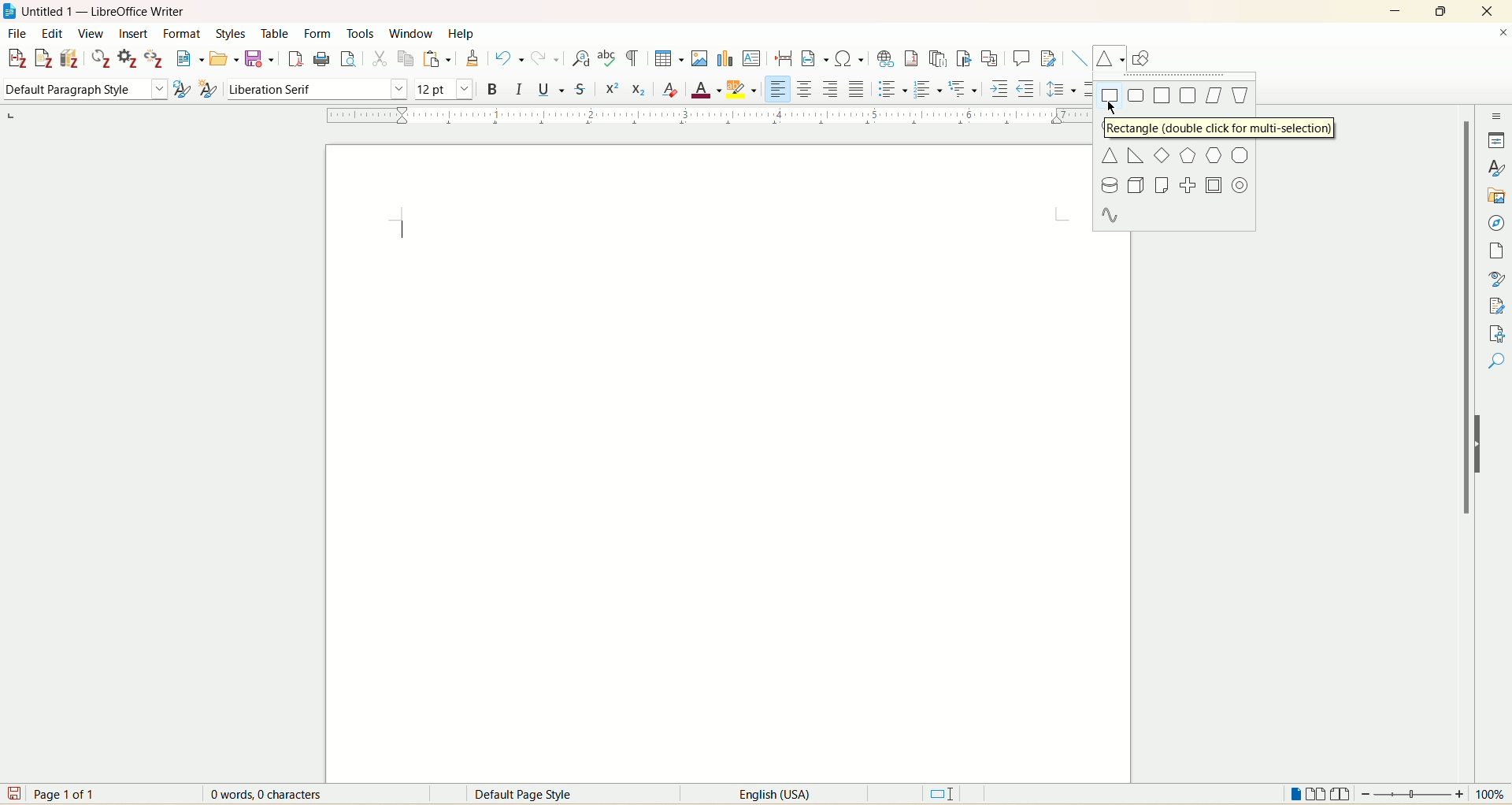  What do you see at coordinates (1088, 88) in the screenshot?
I see `increase paragraph spacing` at bounding box center [1088, 88].